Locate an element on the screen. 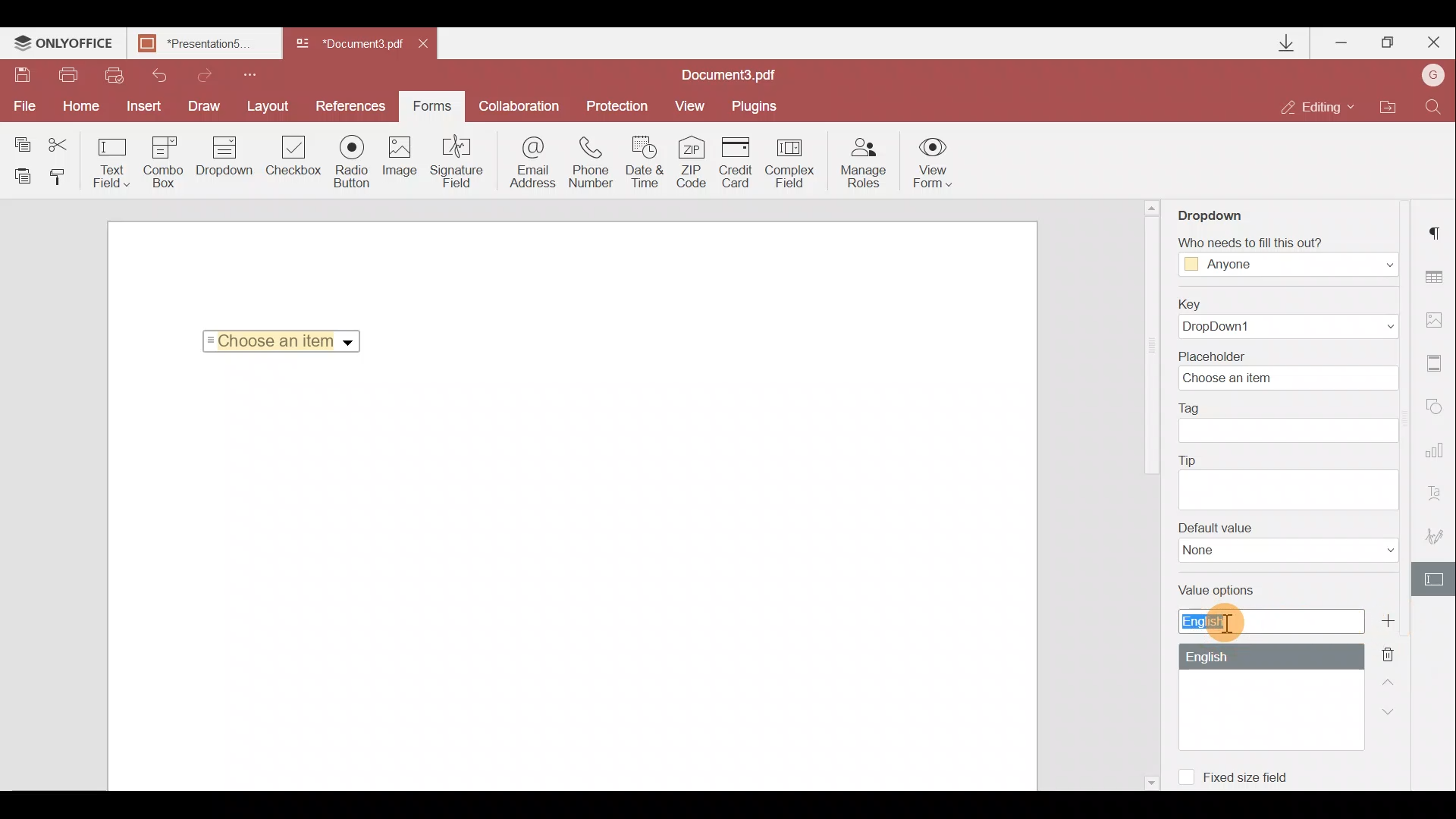  Form settings is located at coordinates (1436, 579).